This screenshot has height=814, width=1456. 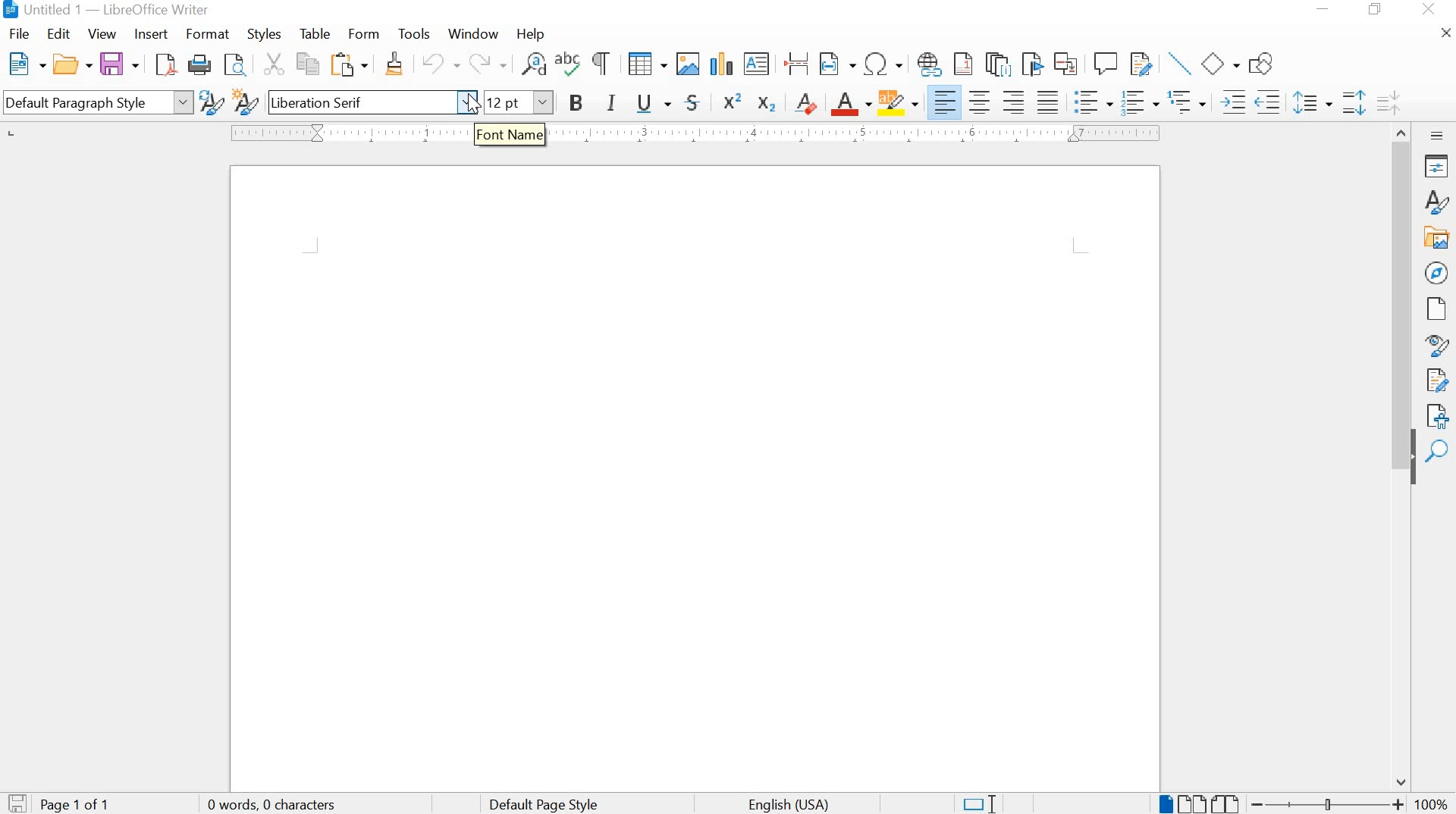 What do you see at coordinates (945, 102) in the screenshot?
I see `ALIGN LEFT` at bounding box center [945, 102].